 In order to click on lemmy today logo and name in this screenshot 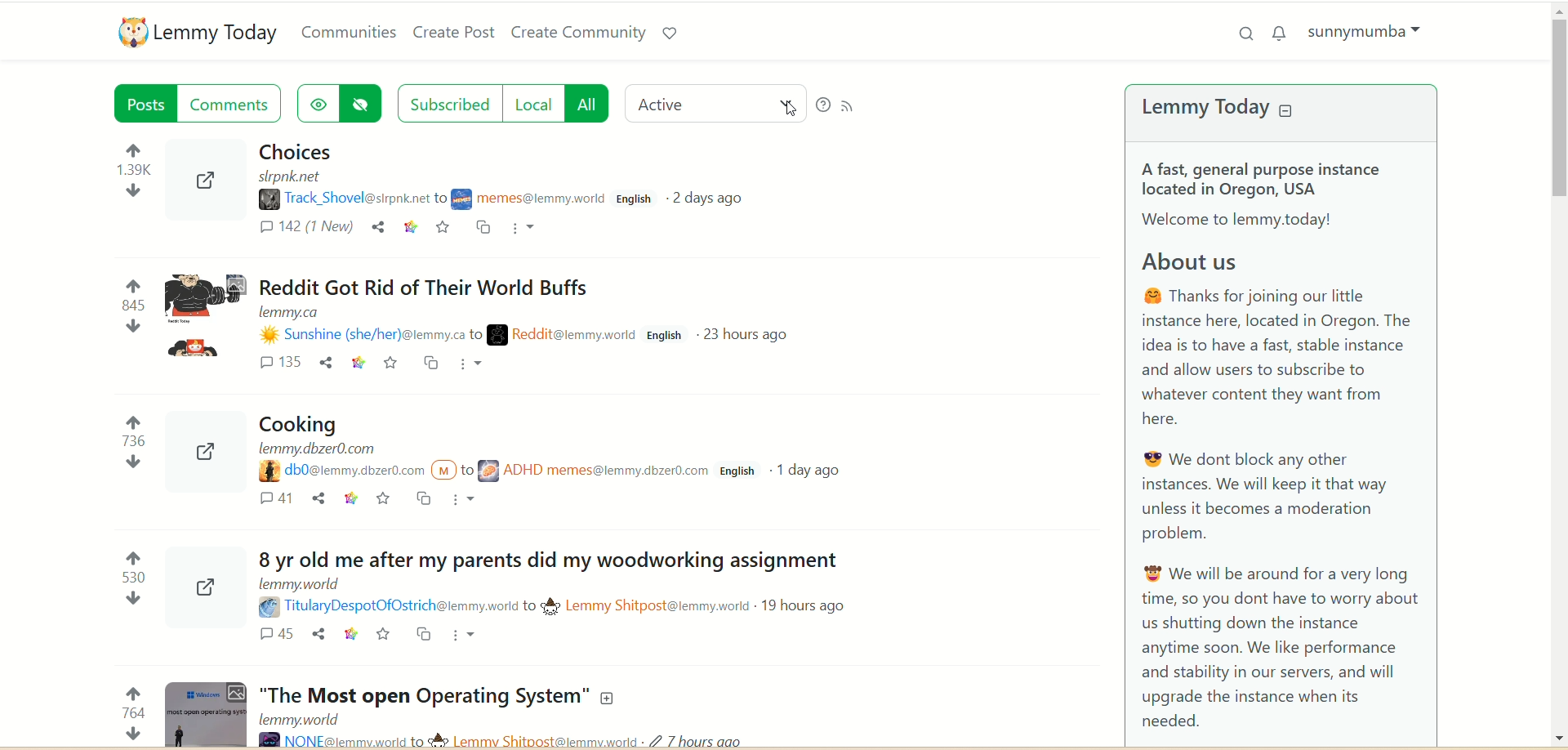, I will do `click(199, 32)`.